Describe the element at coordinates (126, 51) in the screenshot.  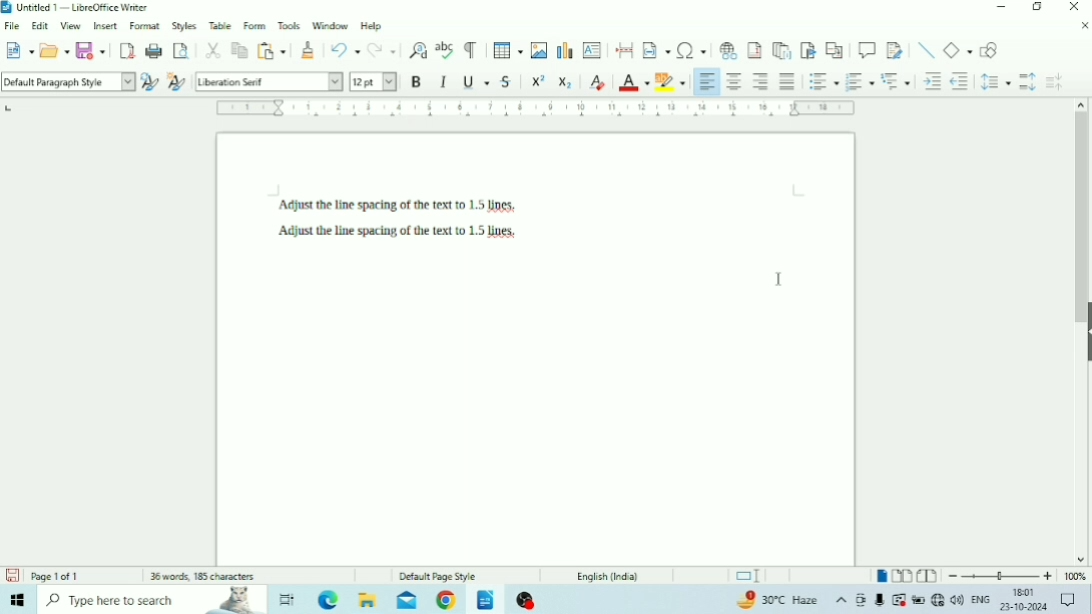
I see `Export as PDF` at that location.